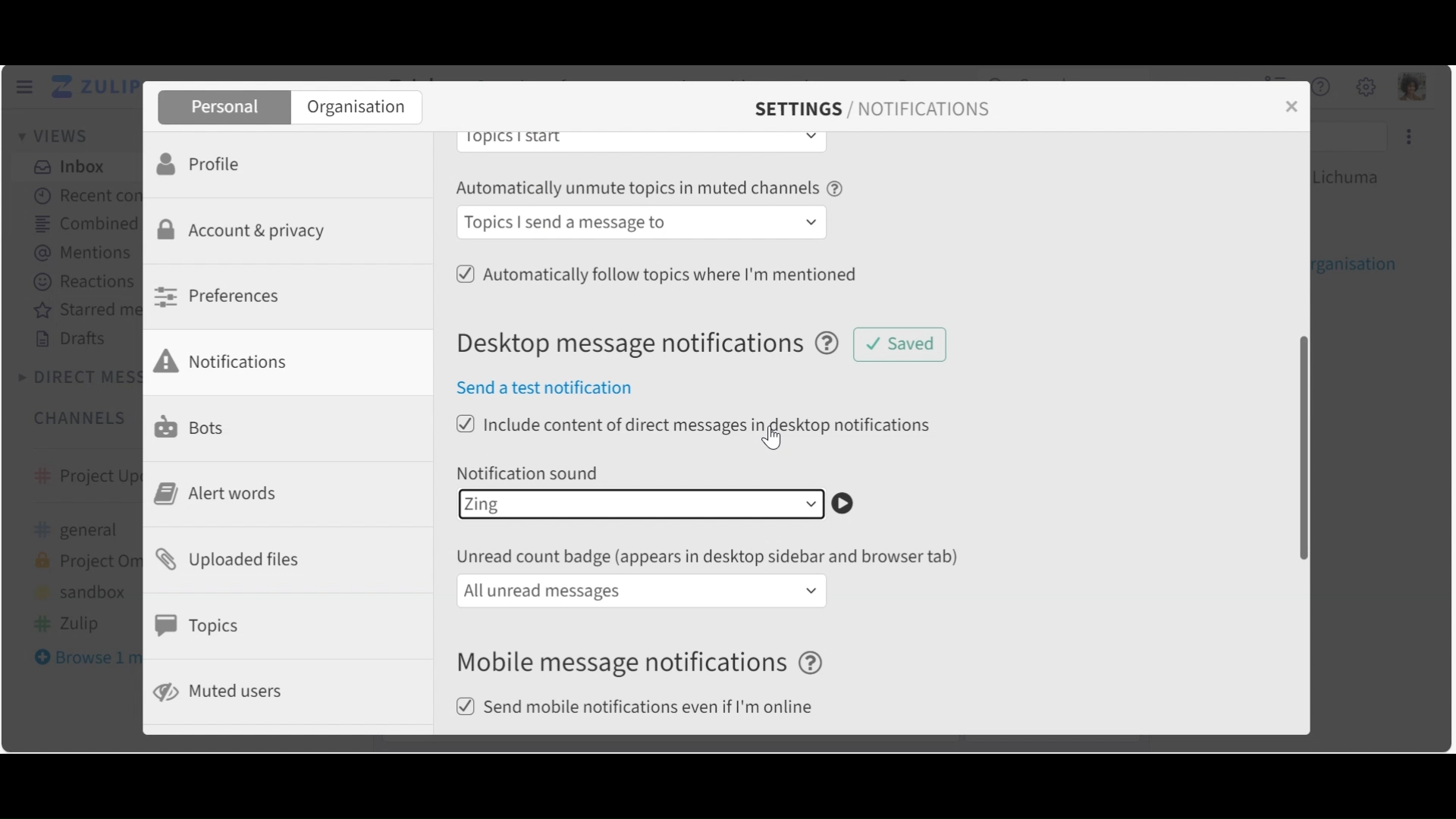 This screenshot has width=1456, height=819. What do you see at coordinates (204, 162) in the screenshot?
I see `Profile` at bounding box center [204, 162].